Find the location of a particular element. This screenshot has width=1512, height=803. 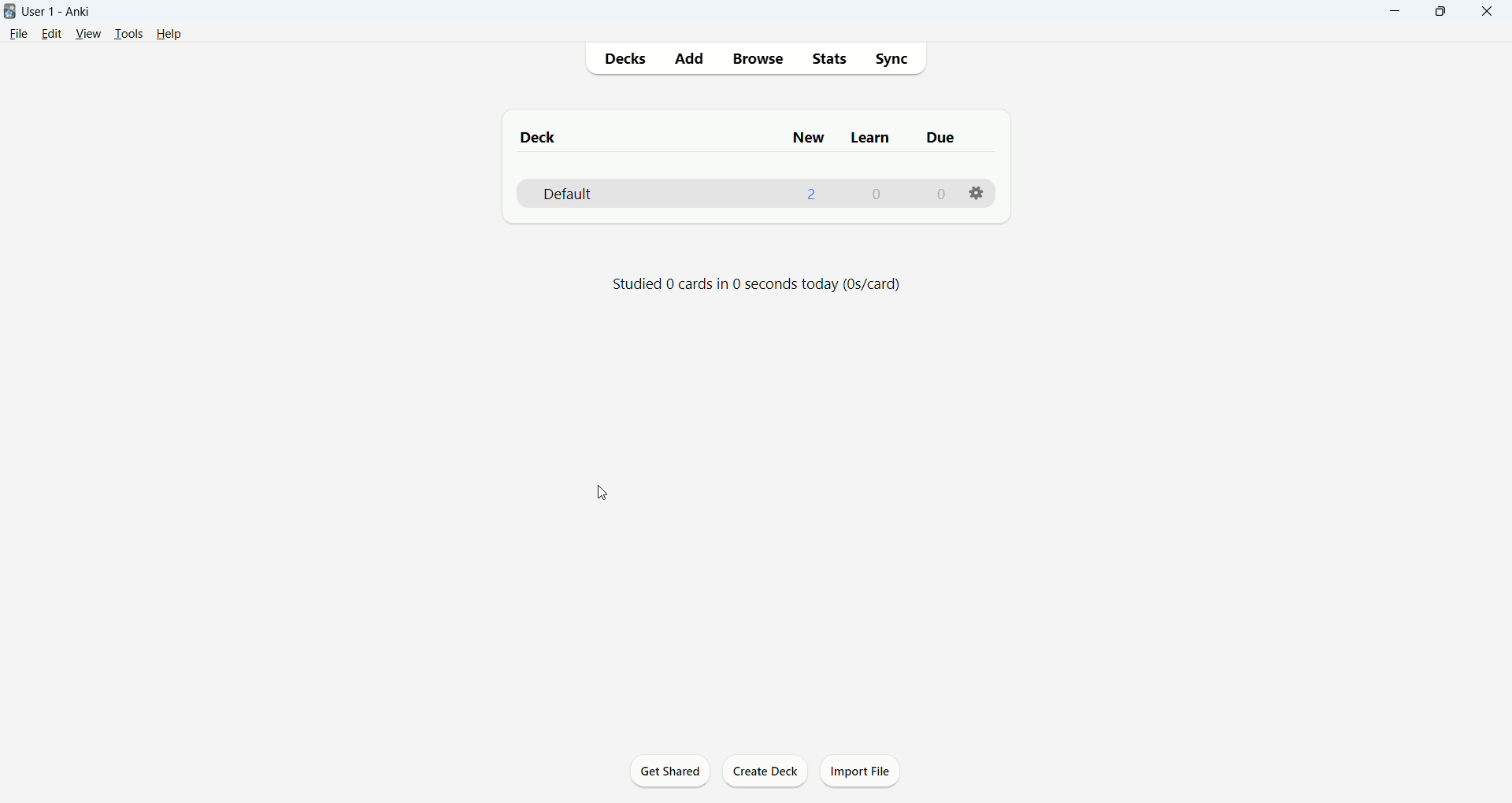

User1 is located at coordinates (56, 11).